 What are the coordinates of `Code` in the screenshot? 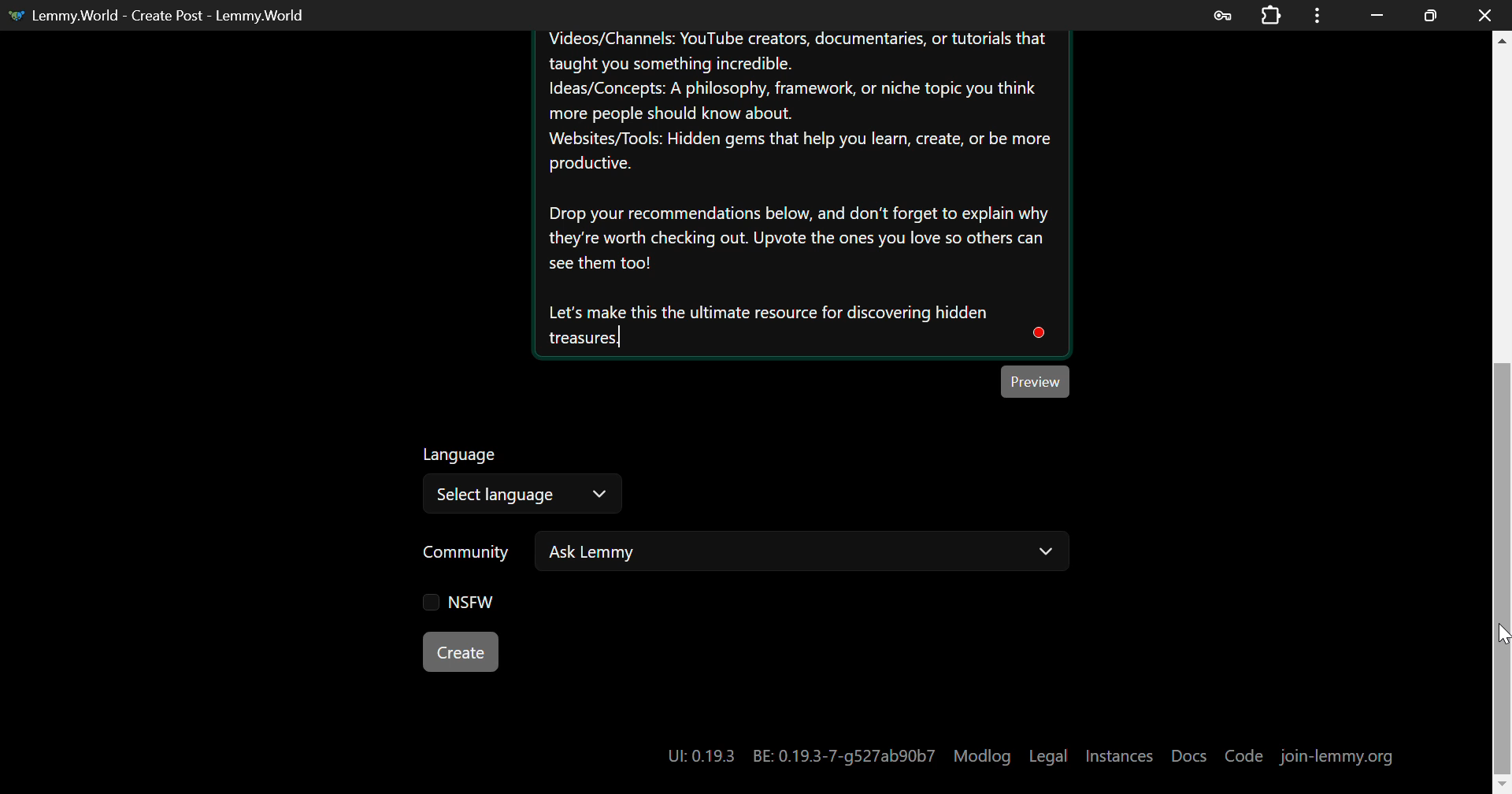 It's located at (1244, 756).